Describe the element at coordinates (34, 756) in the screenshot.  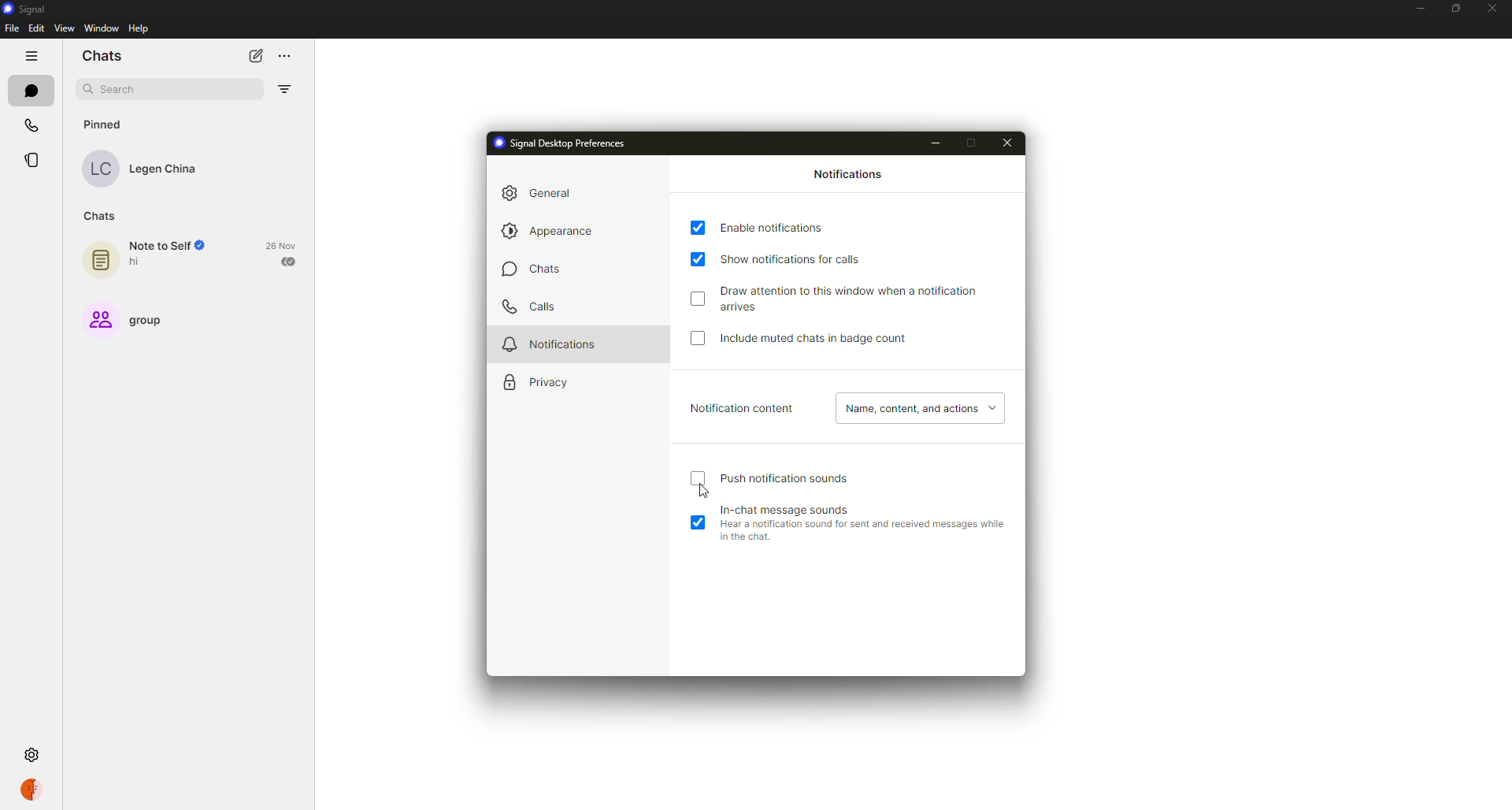
I see `settings` at that location.